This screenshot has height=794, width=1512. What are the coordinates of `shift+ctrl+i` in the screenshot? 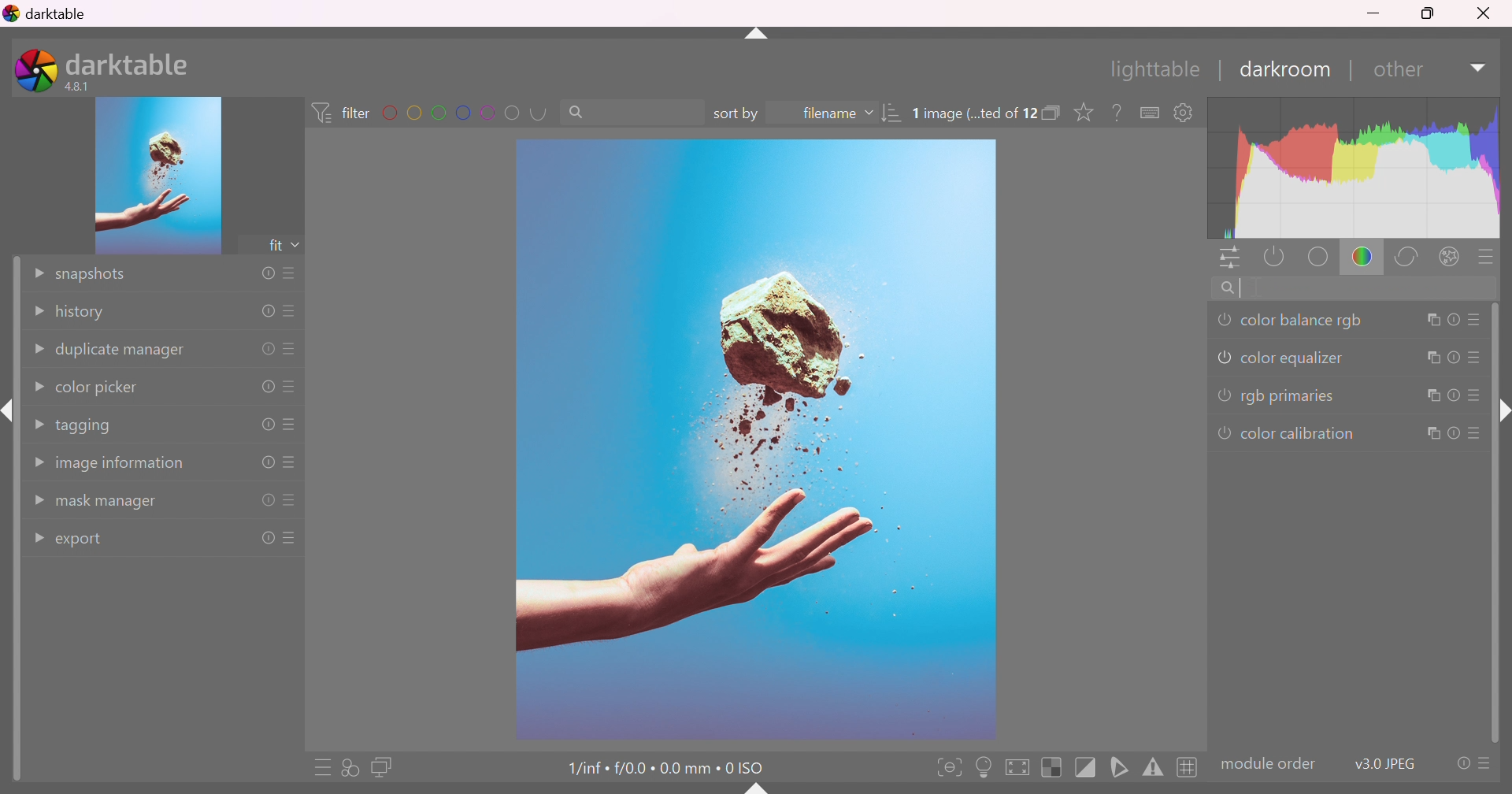 It's located at (9, 411).